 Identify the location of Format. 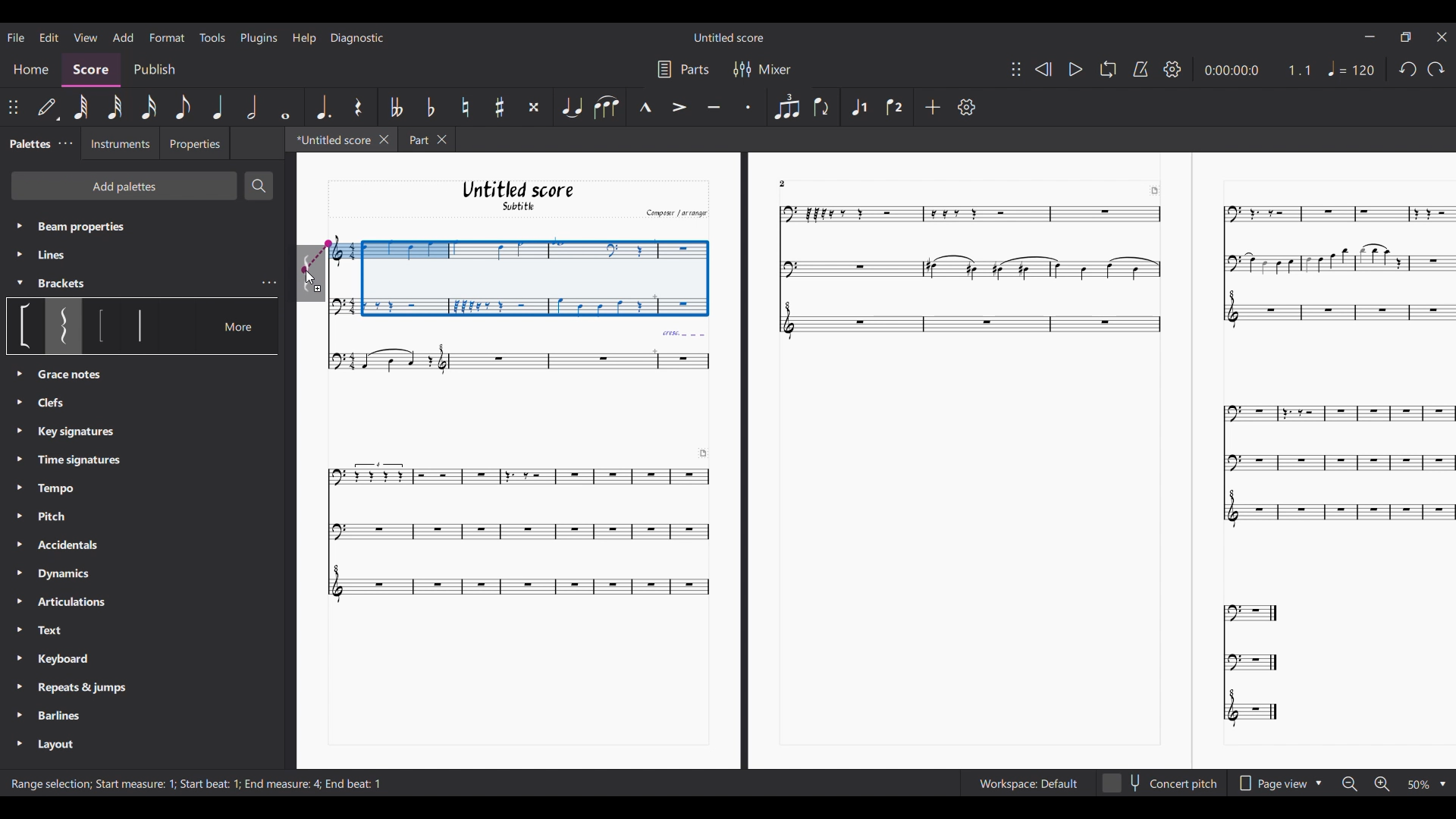
(168, 37).